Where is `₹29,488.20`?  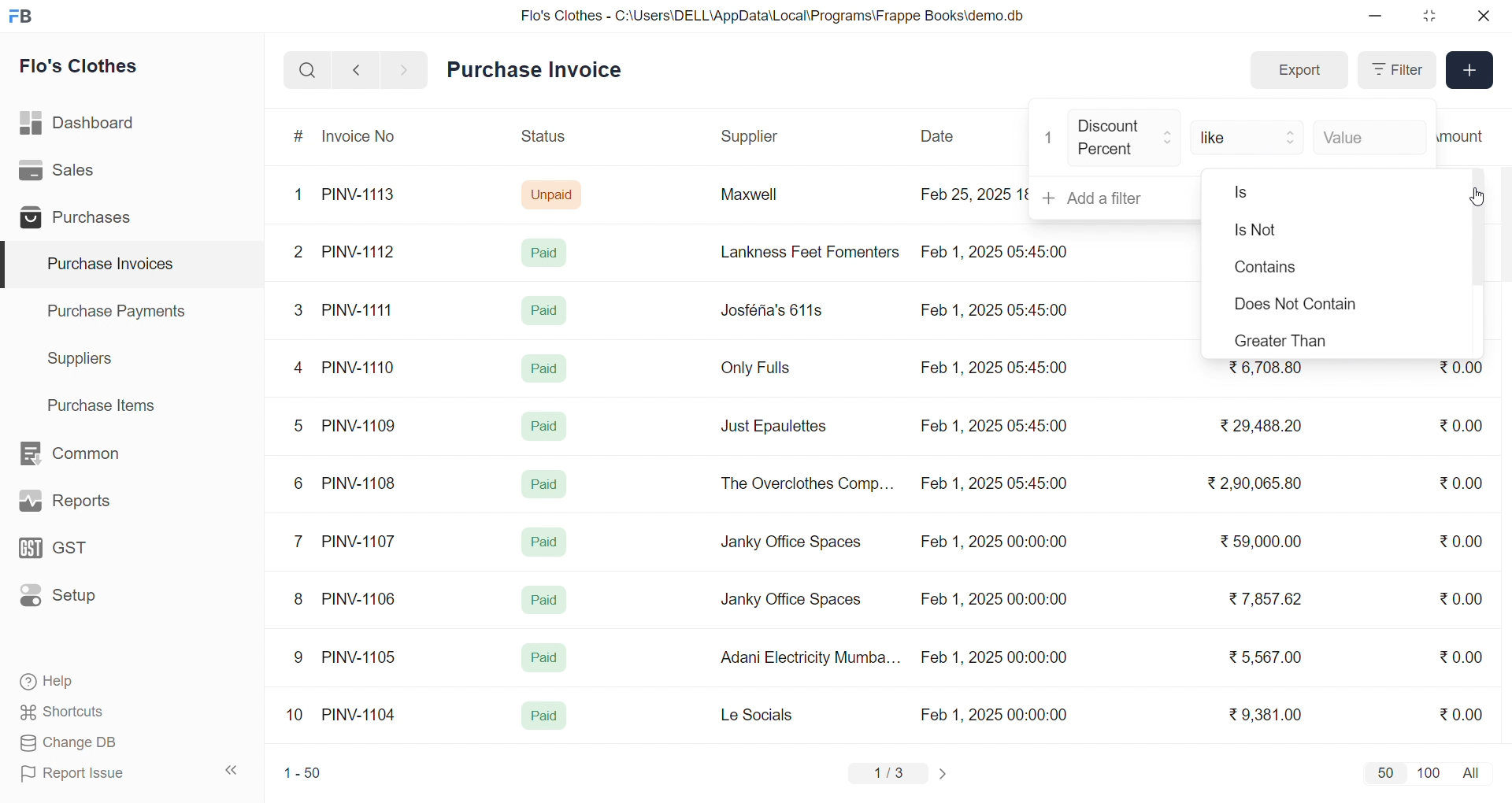 ₹29,488.20 is located at coordinates (1256, 426).